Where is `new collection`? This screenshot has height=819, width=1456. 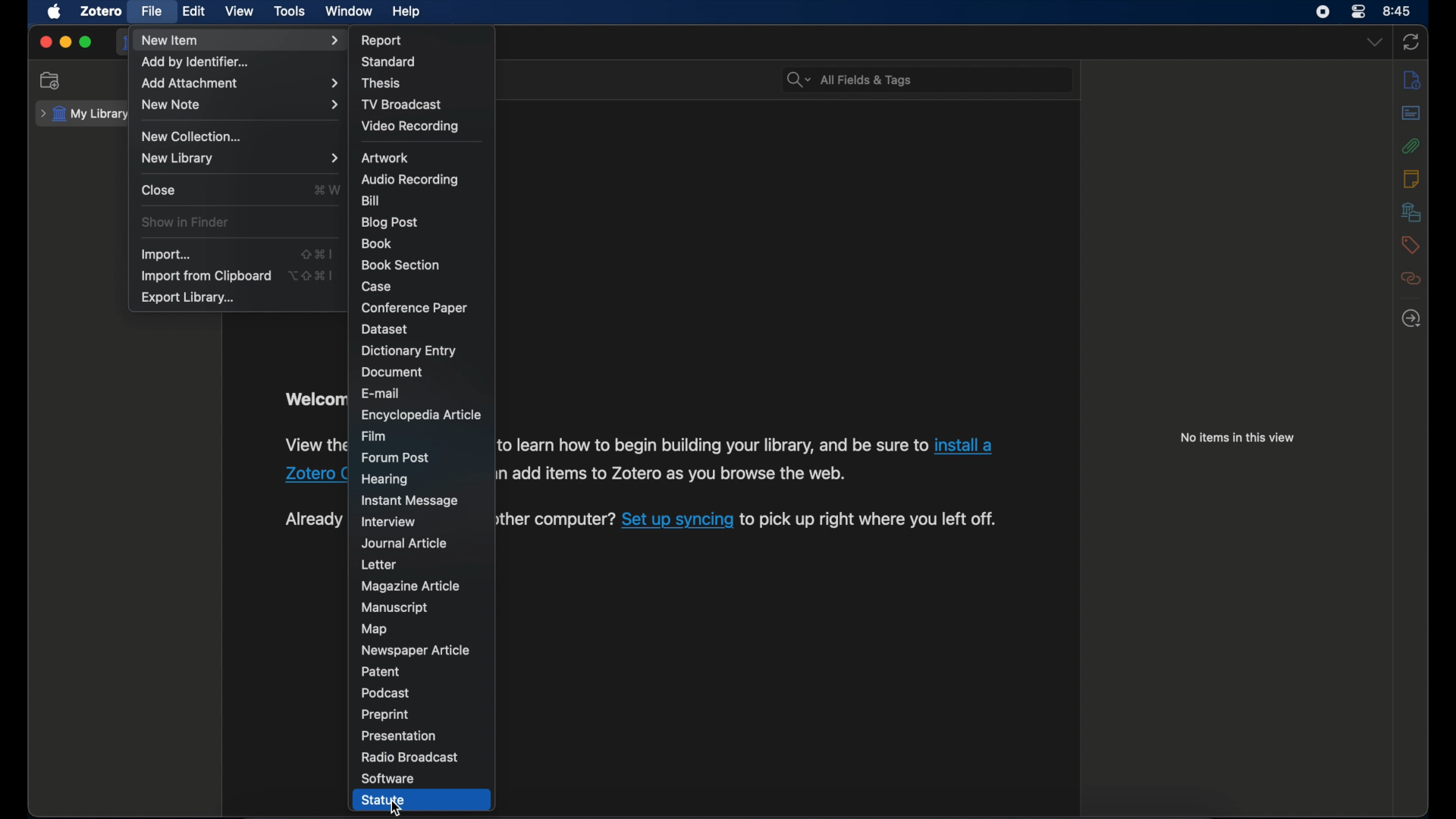
new collection is located at coordinates (51, 80).